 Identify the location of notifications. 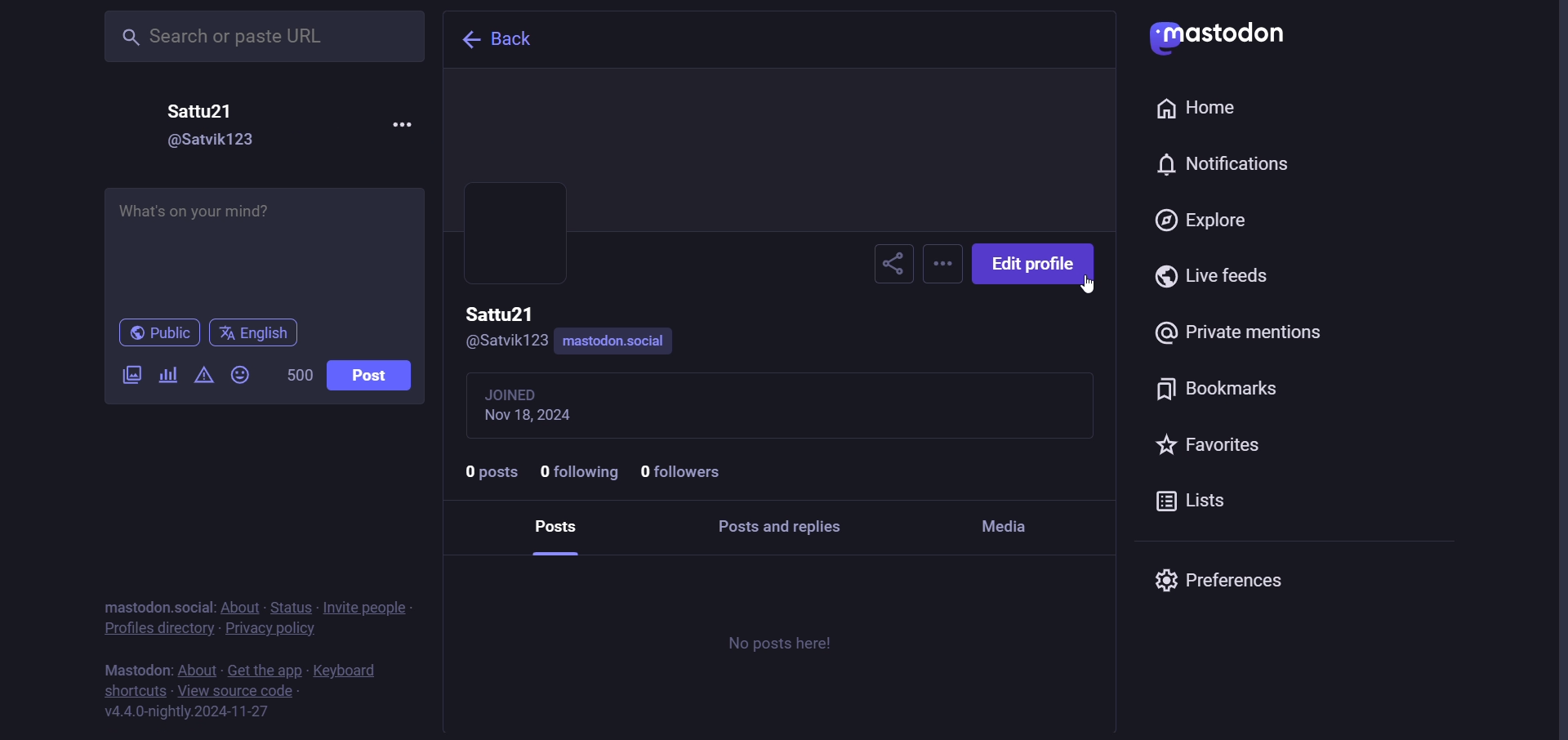
(1217, 163).